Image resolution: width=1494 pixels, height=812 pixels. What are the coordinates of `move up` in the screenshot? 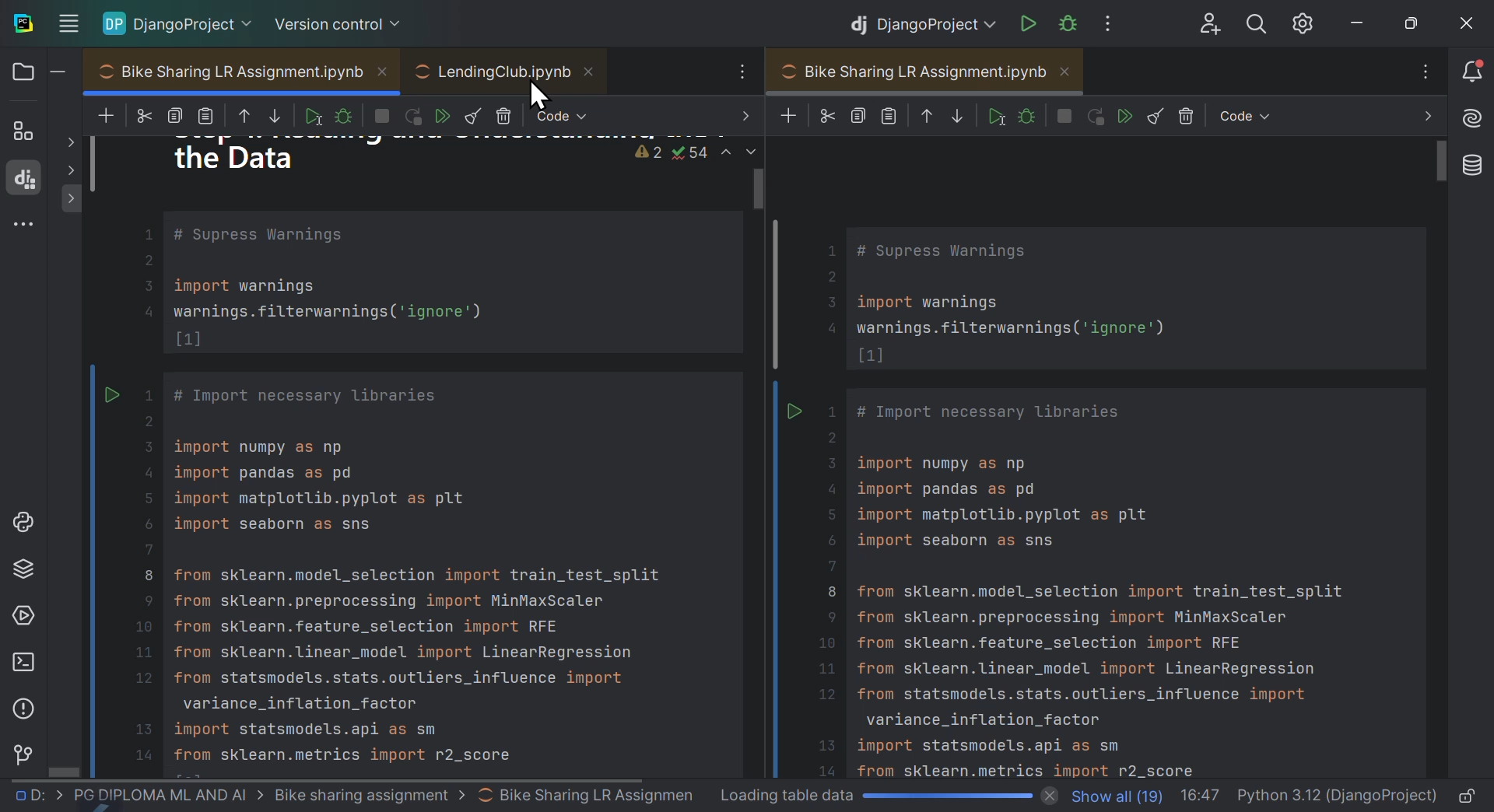 It's located at (926, 117).